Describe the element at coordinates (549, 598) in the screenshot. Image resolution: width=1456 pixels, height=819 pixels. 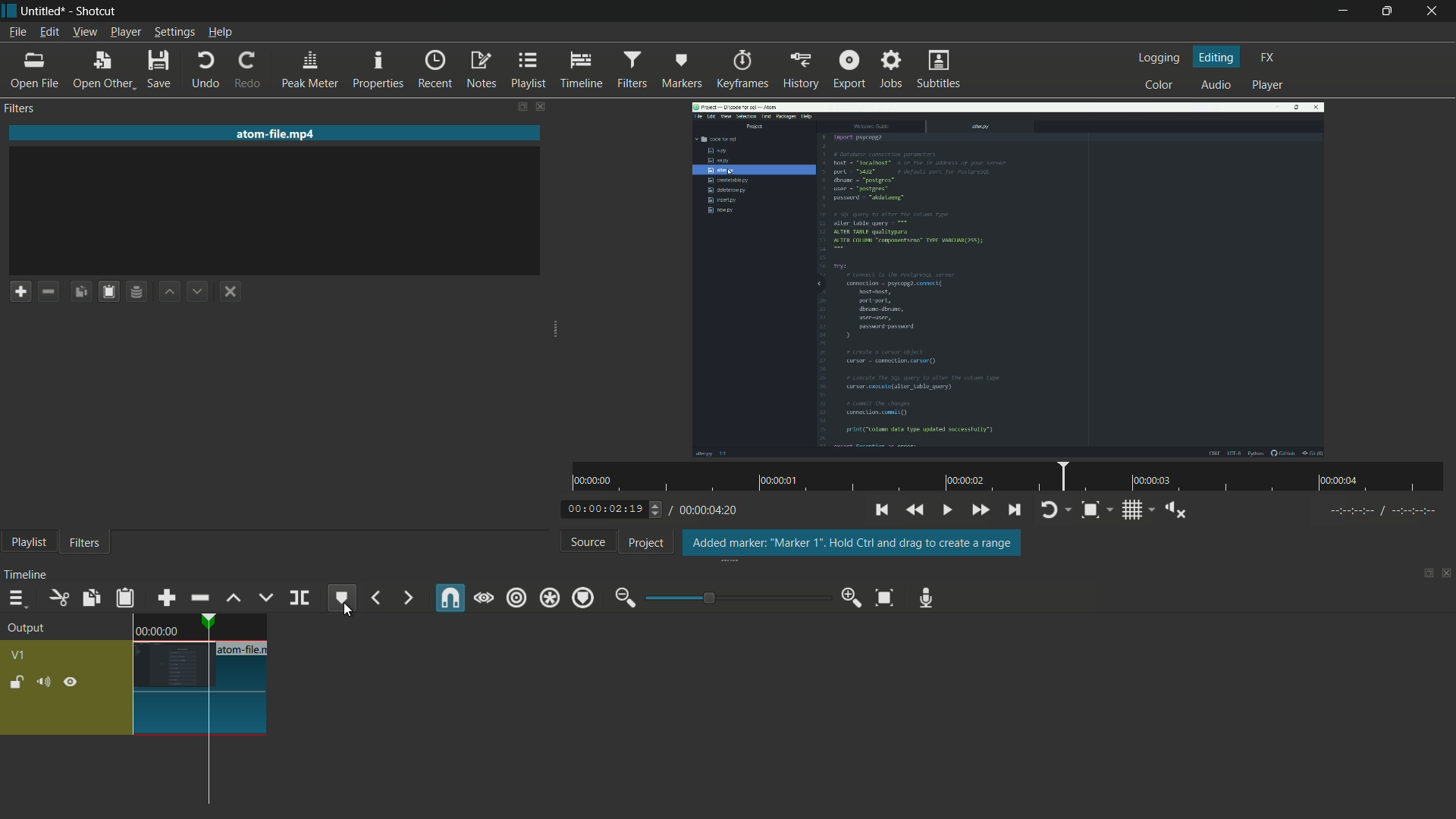
I see `ripple all tracks` at that location.